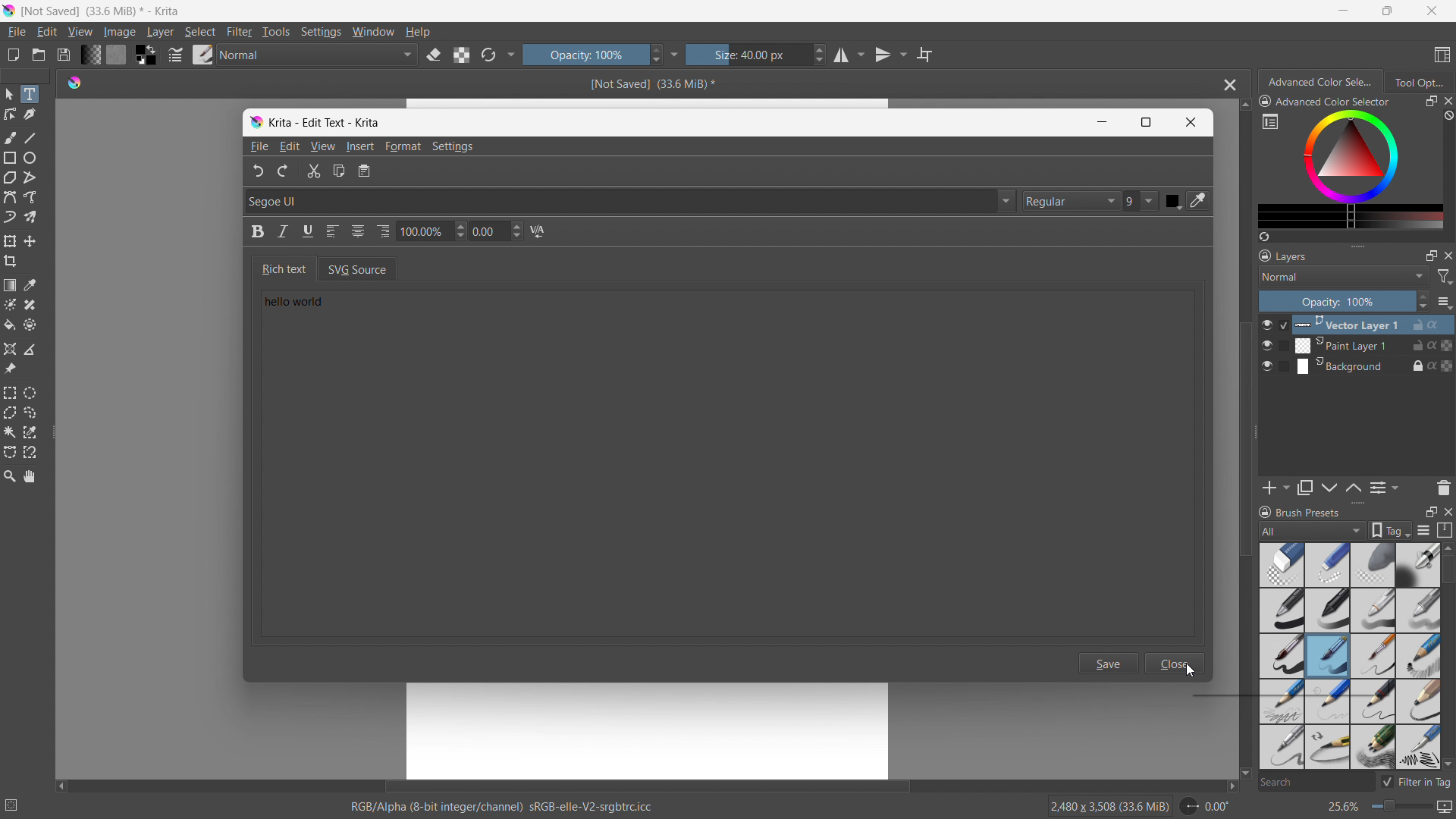  I want to click on pencil, so click(1417, 747).